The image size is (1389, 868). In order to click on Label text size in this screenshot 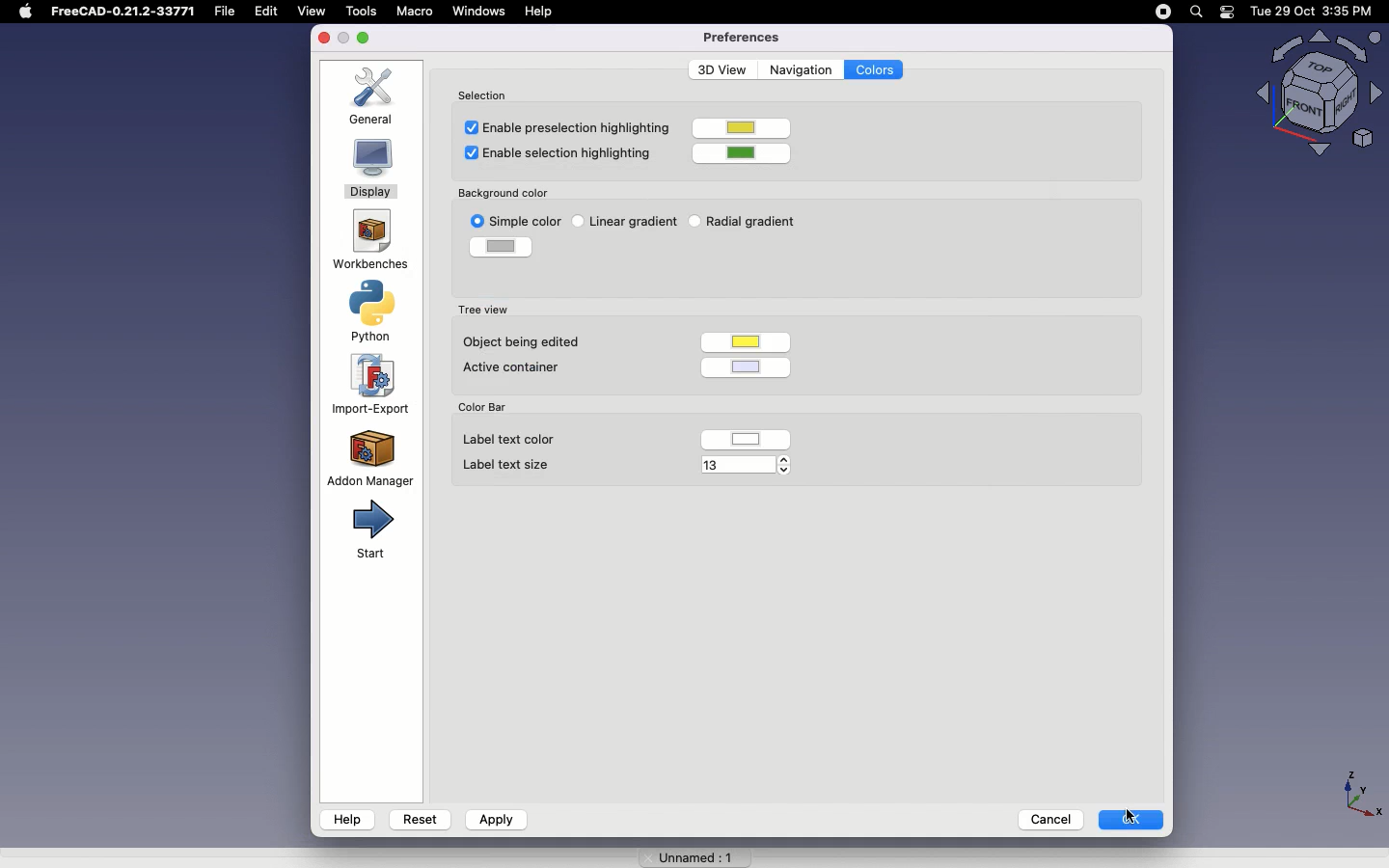, I will do `click(507, 464)`.